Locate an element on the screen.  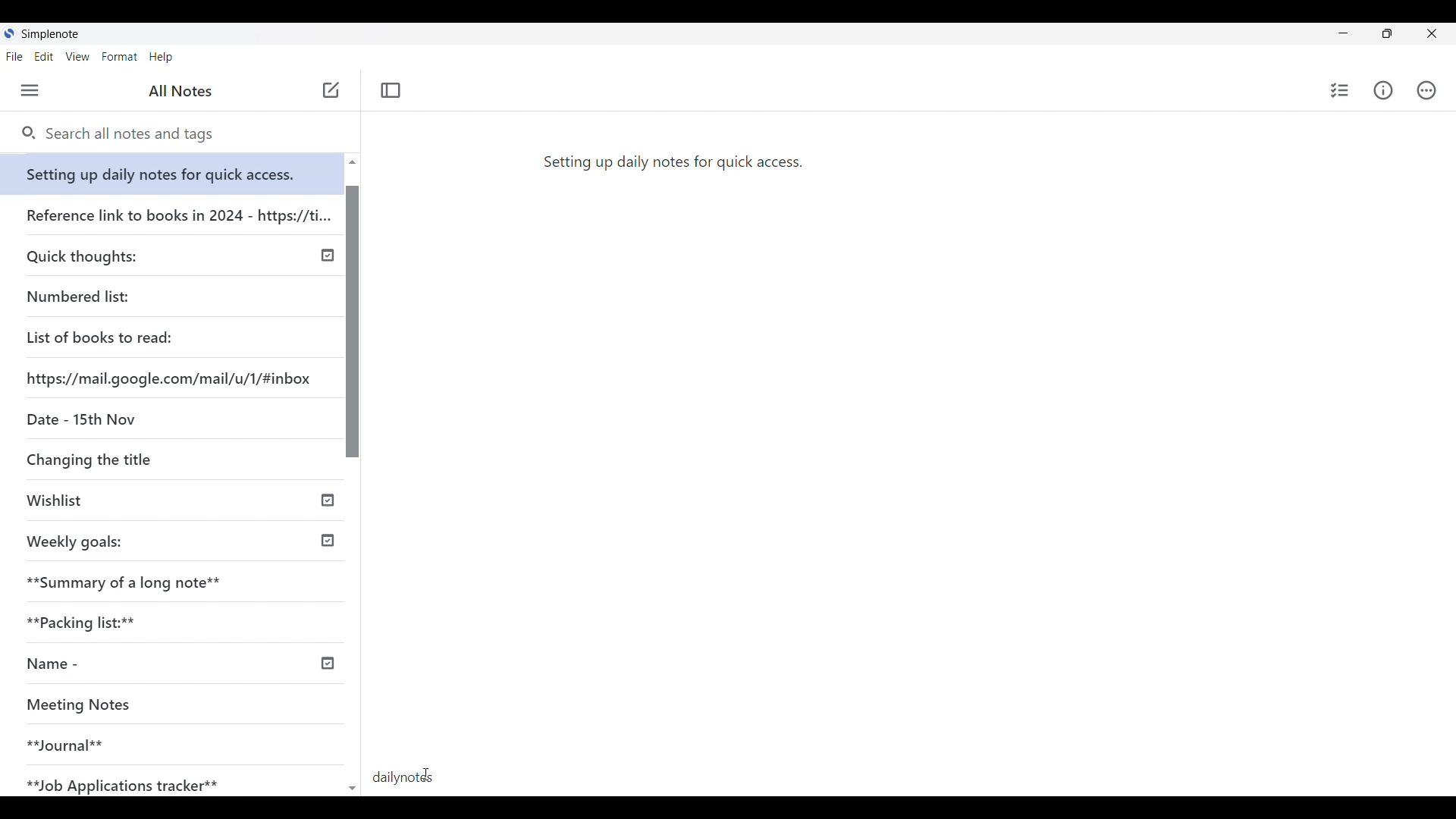
Name is located at coordinates (108, 664).